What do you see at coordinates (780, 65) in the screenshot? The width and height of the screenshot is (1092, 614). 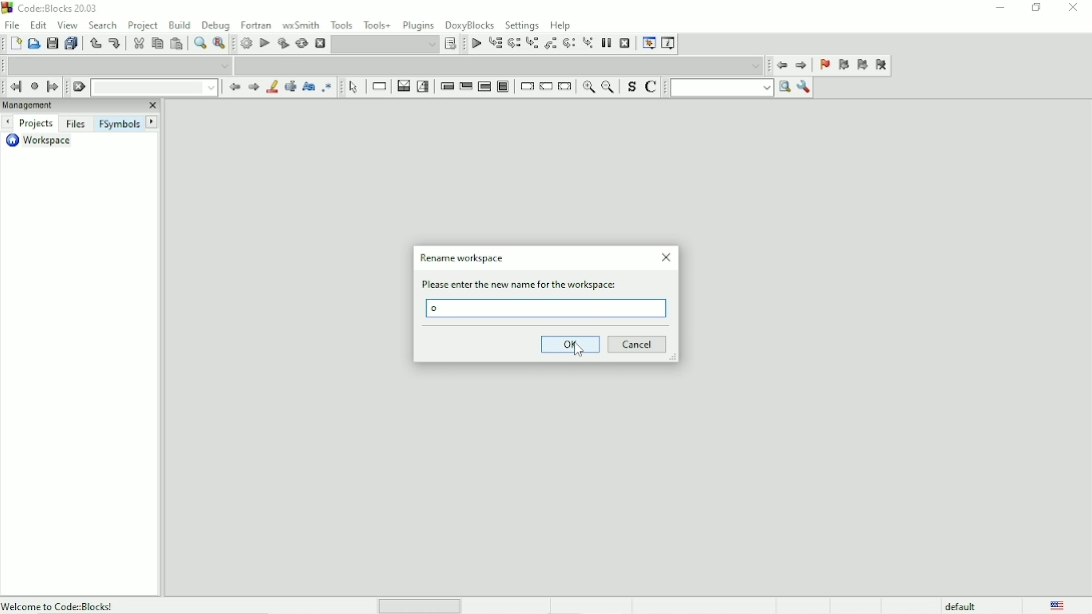 I see `Jump back` at bounding box center [780, 65].